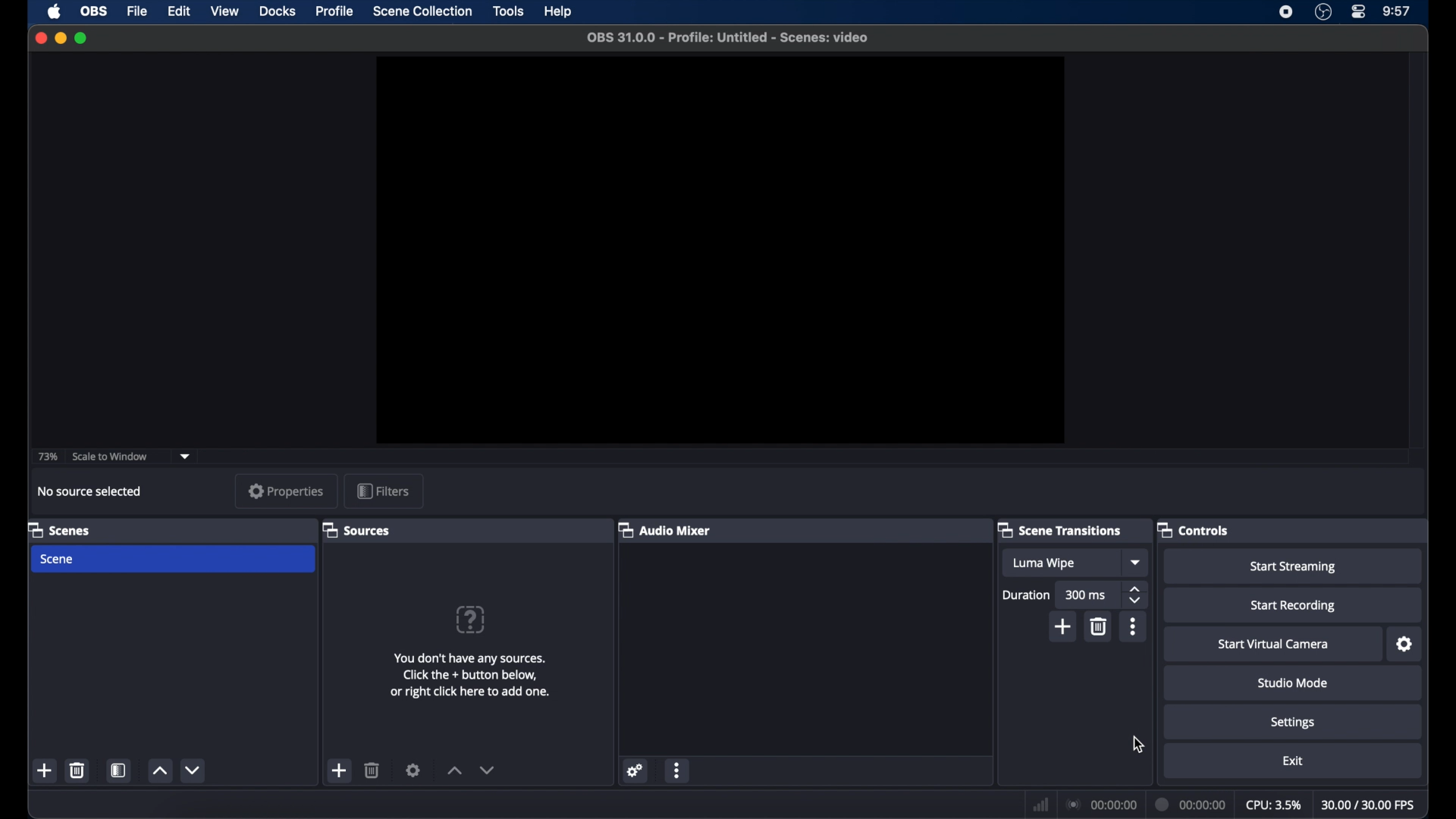 The height and width of the screenshot is (819, 1456). I want to click on time, so click(1398, 11).